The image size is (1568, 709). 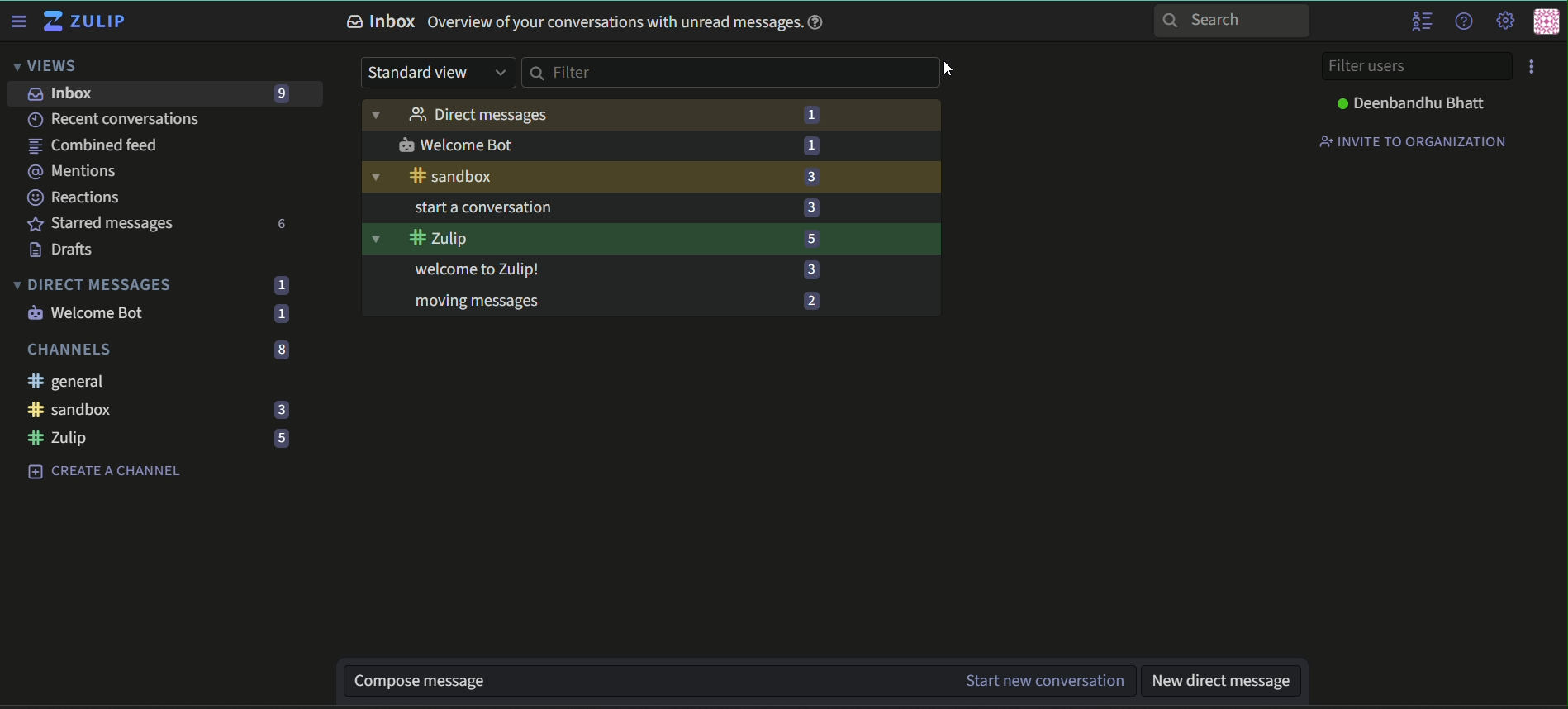 I want to click on Numbers, so click(x=278, y=409).